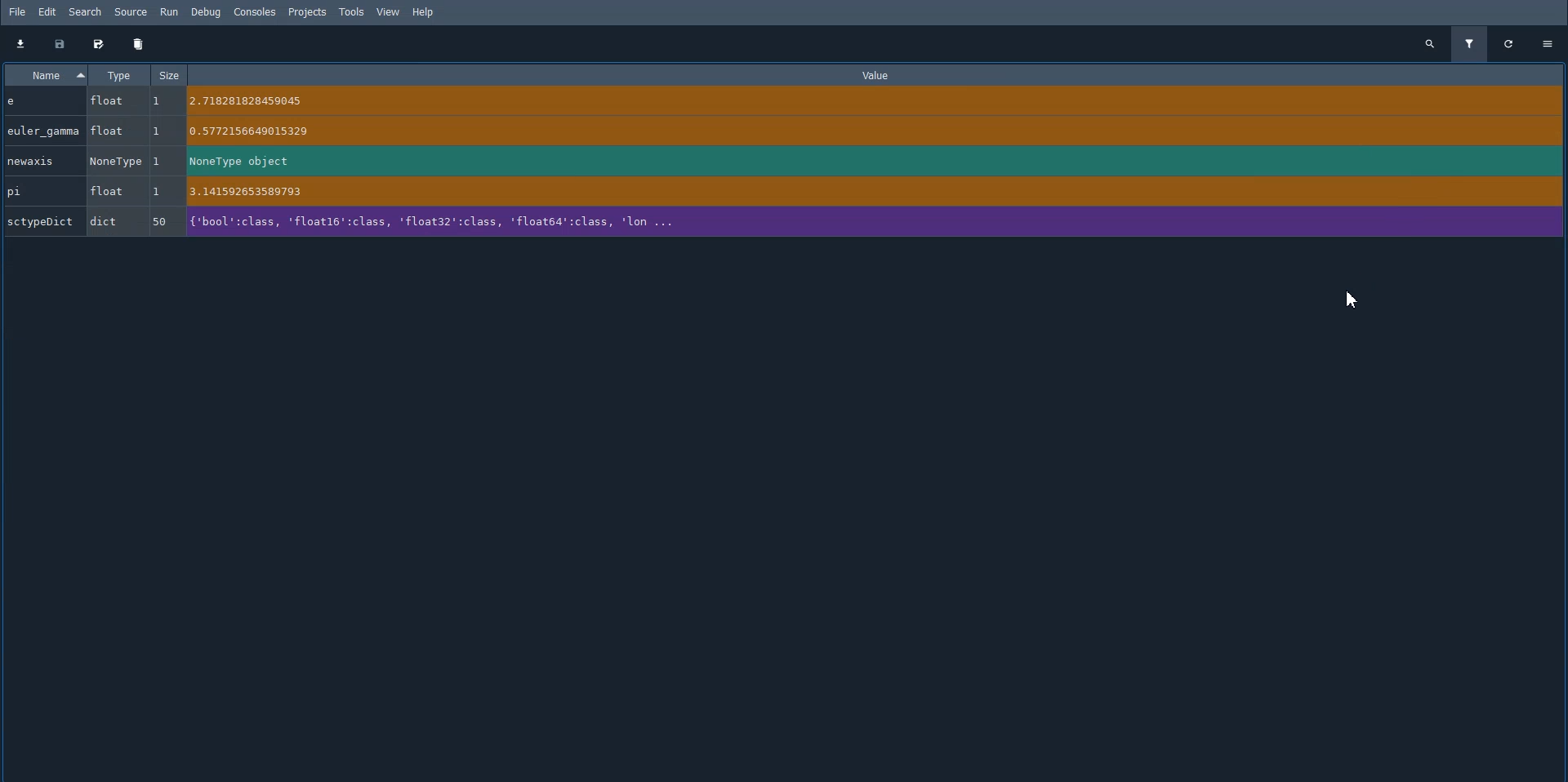 The image size is (1568, 782). Describe the element at coordinates (351, 11) in the screenshot. I see `Tools` at that location.